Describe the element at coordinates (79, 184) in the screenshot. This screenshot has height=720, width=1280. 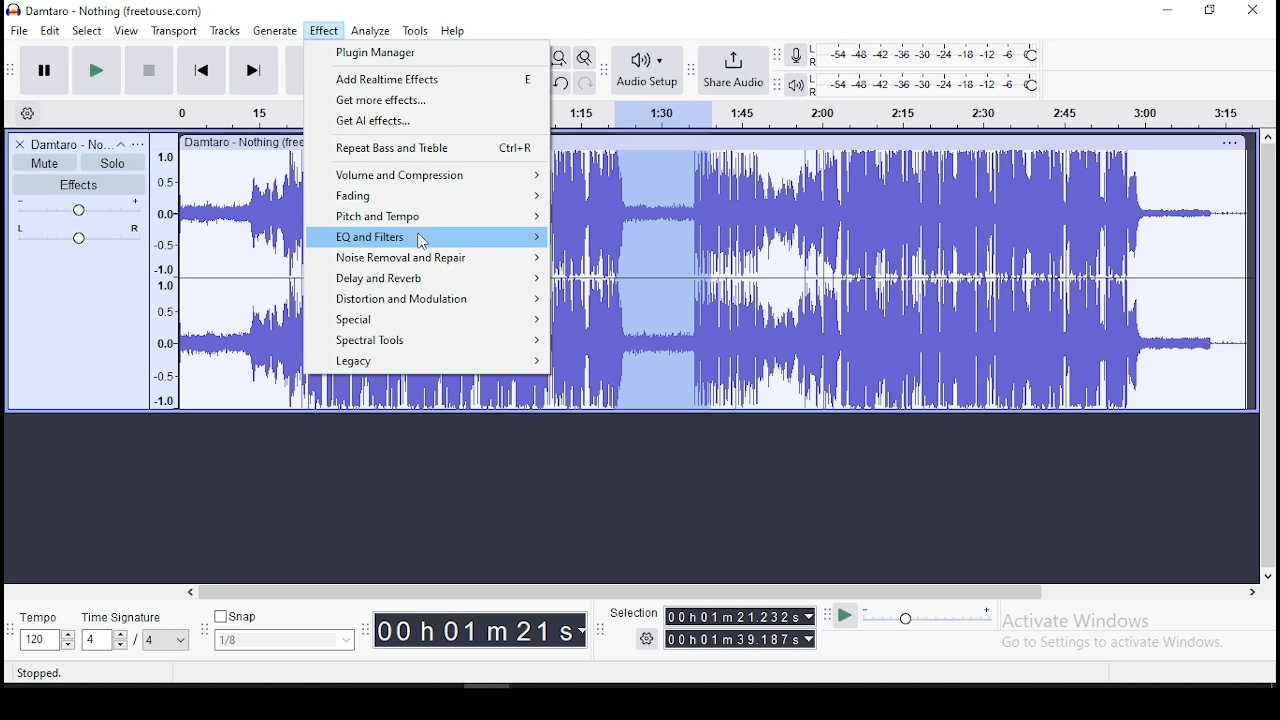
I see `effects` at that location.